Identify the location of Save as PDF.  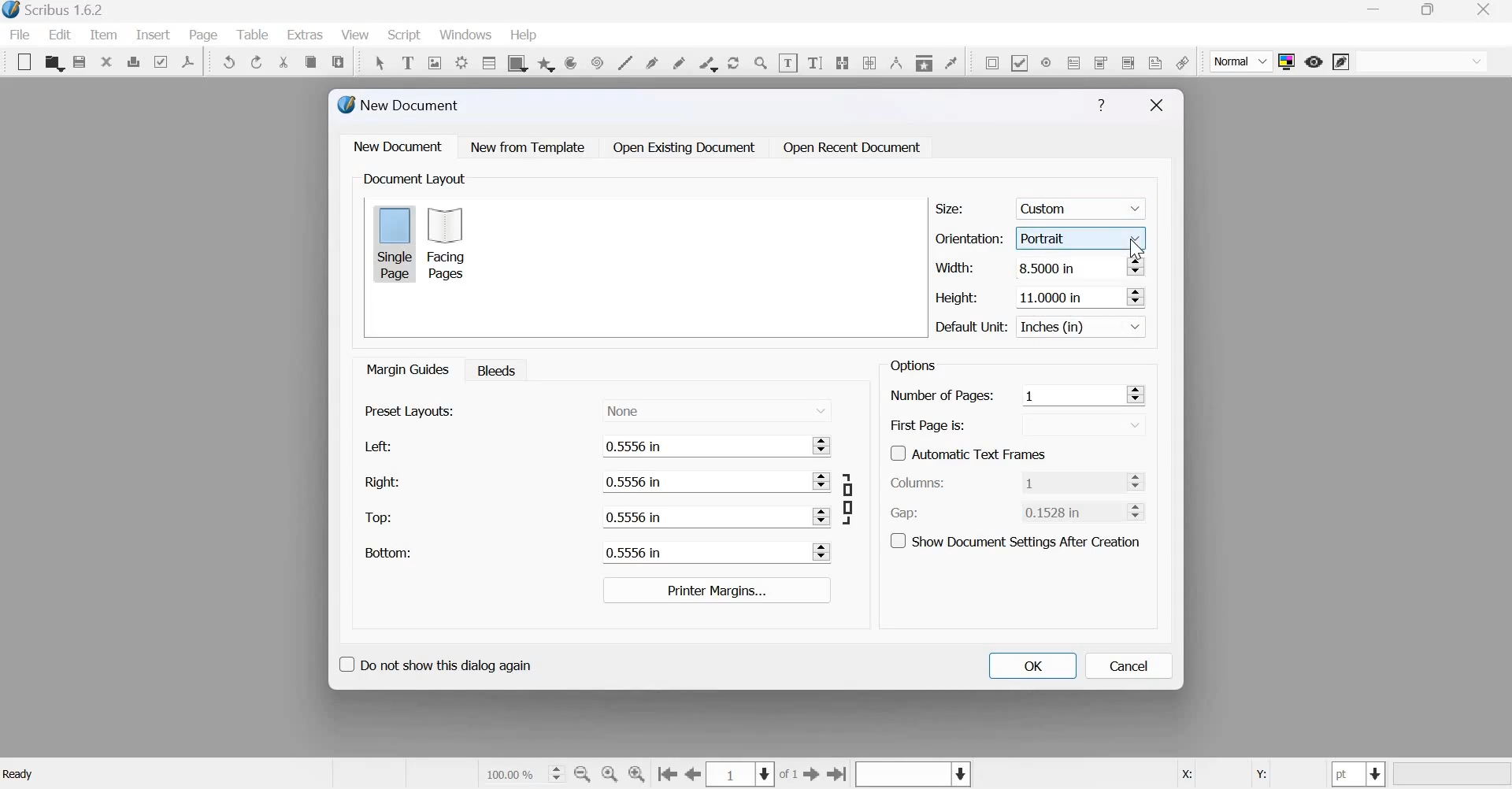
(189, 61).